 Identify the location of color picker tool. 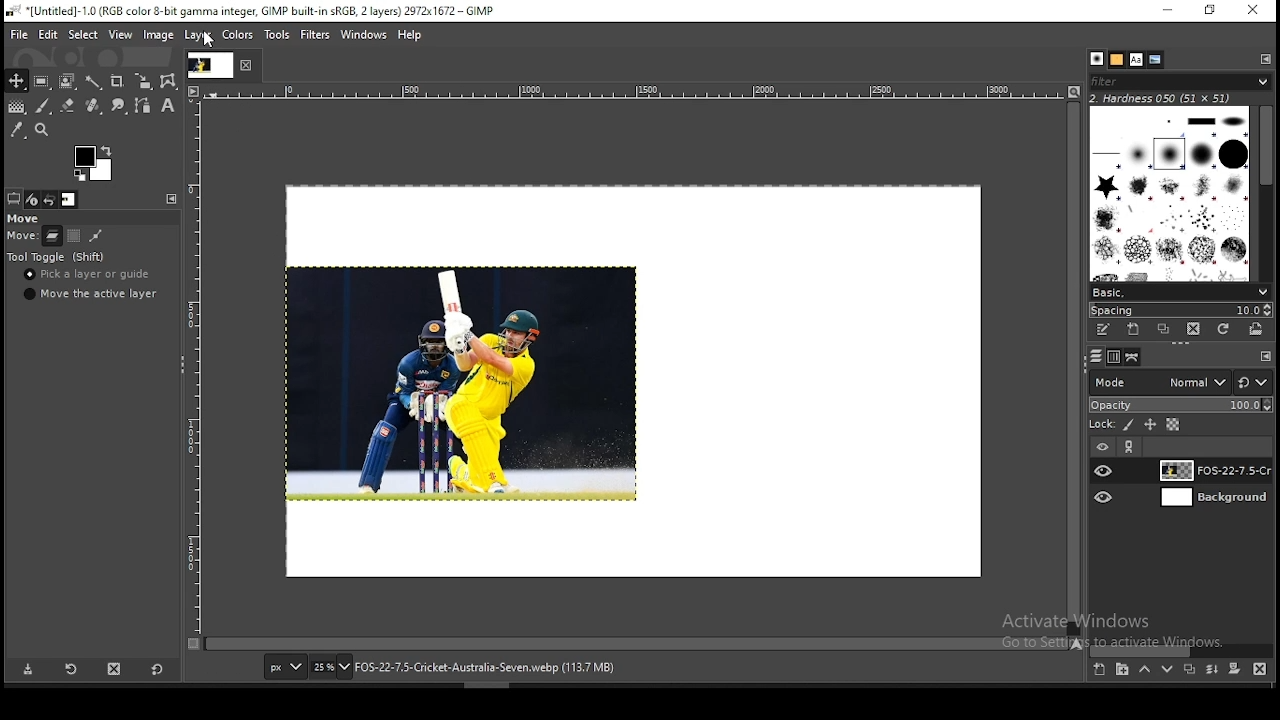
(17, 129).